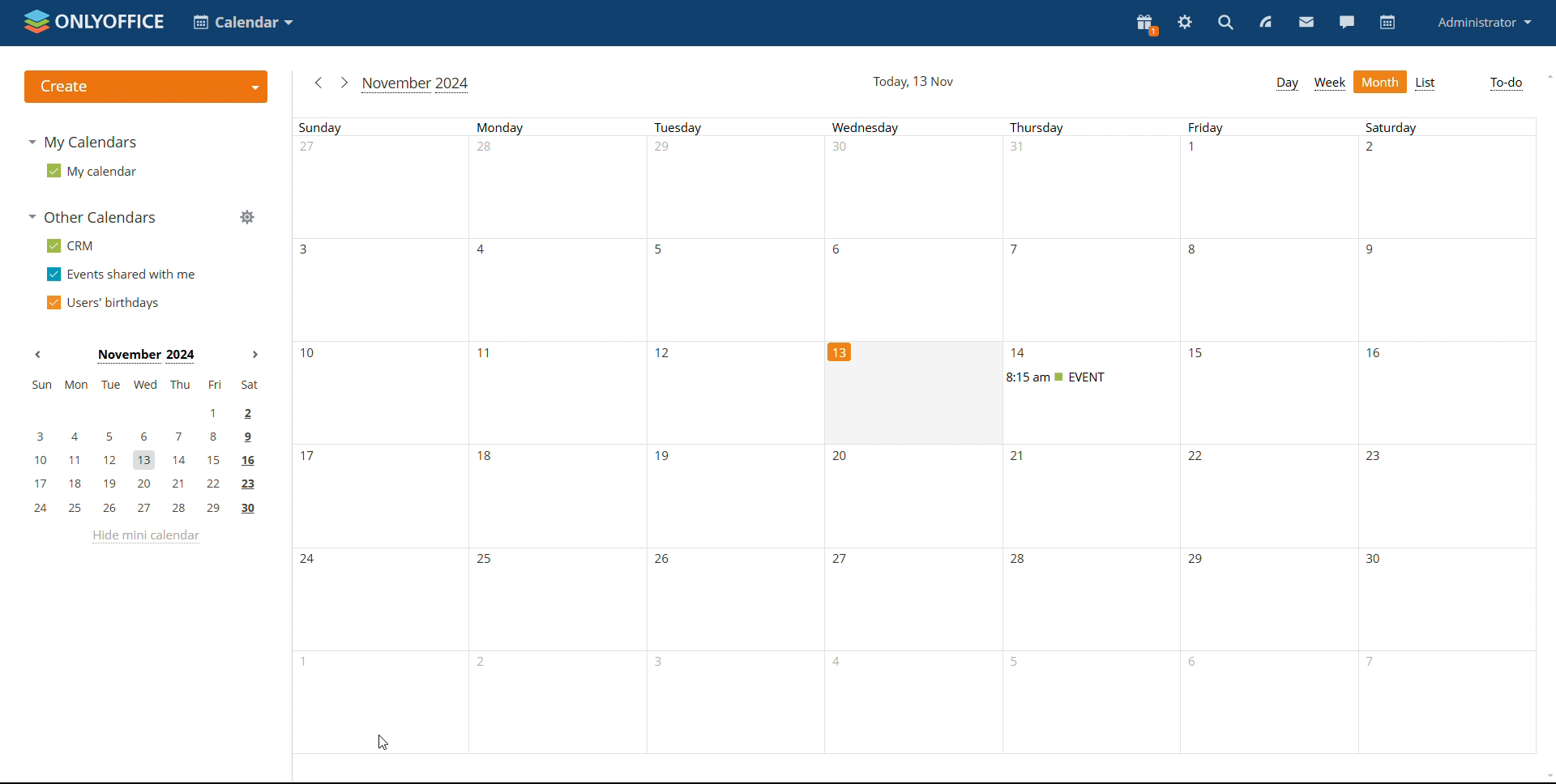 Image resolution: width=1556 pixels, height=784 pixels. Describe the element at coordinates (41, 355) in the screenshot. I see `previous month` at that location.